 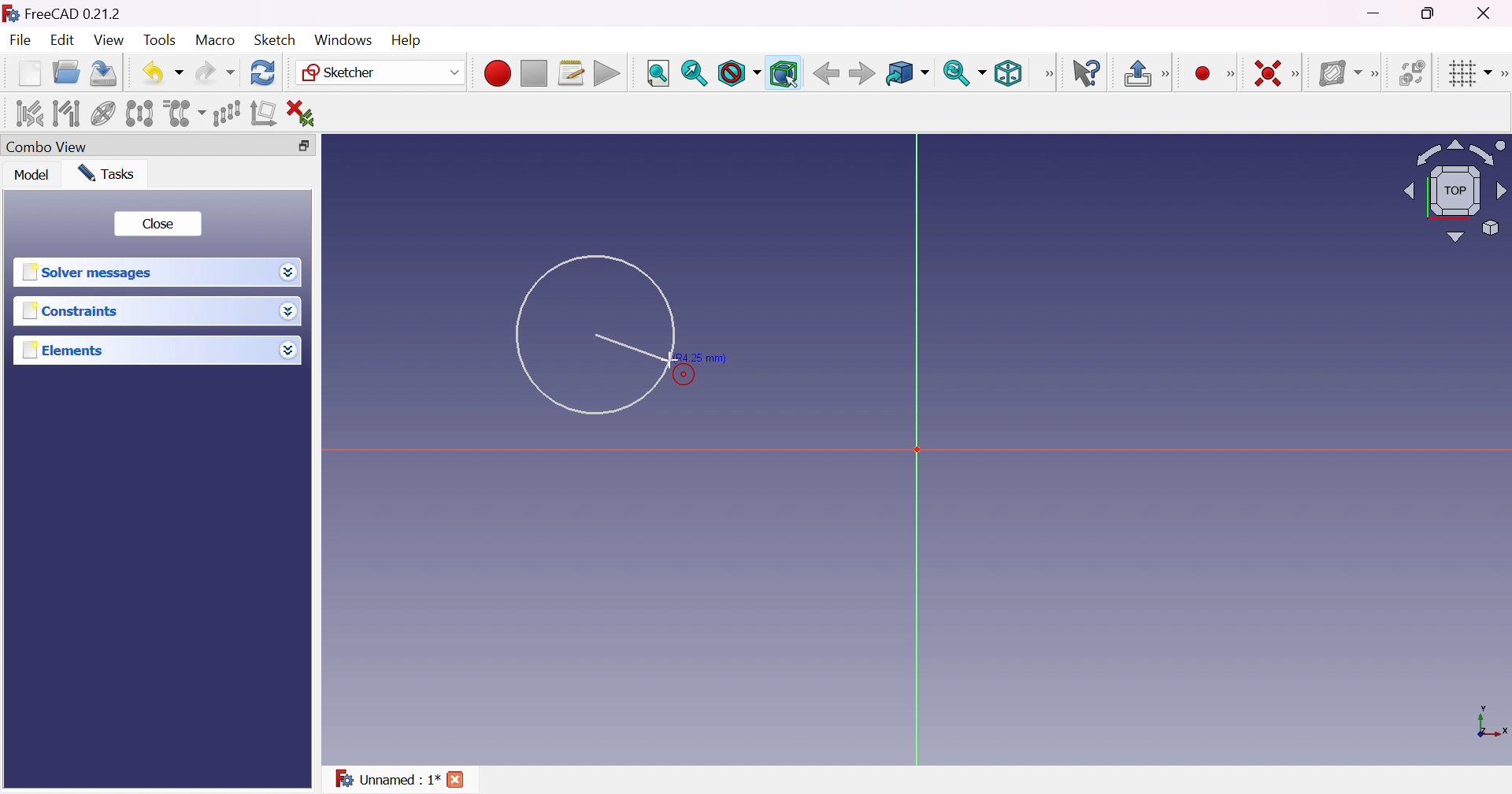 I want to click on Drop down, so click(x=288, y=274).